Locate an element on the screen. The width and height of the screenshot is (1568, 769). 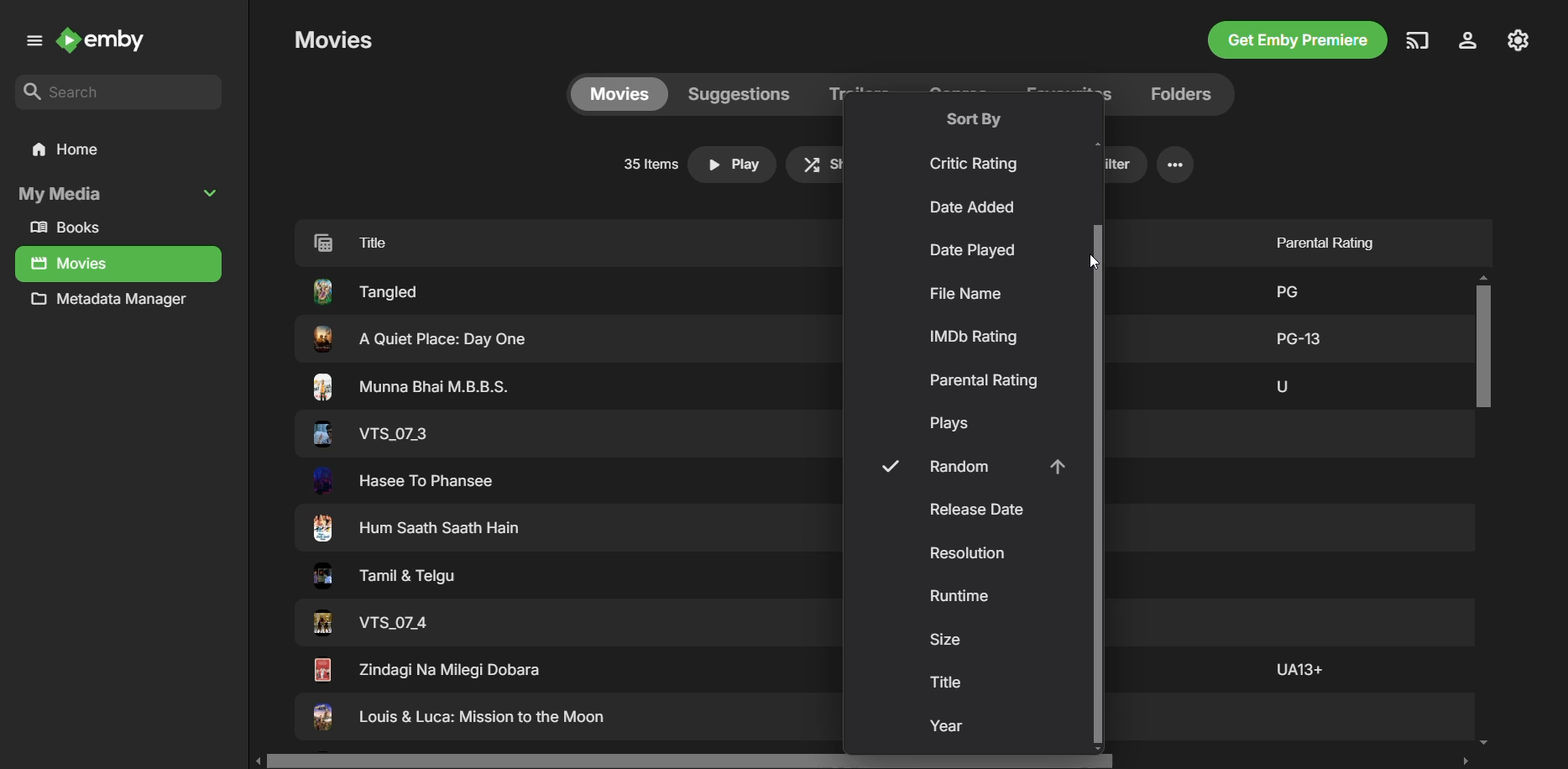
Trailers is located at coordinates (860, 95).